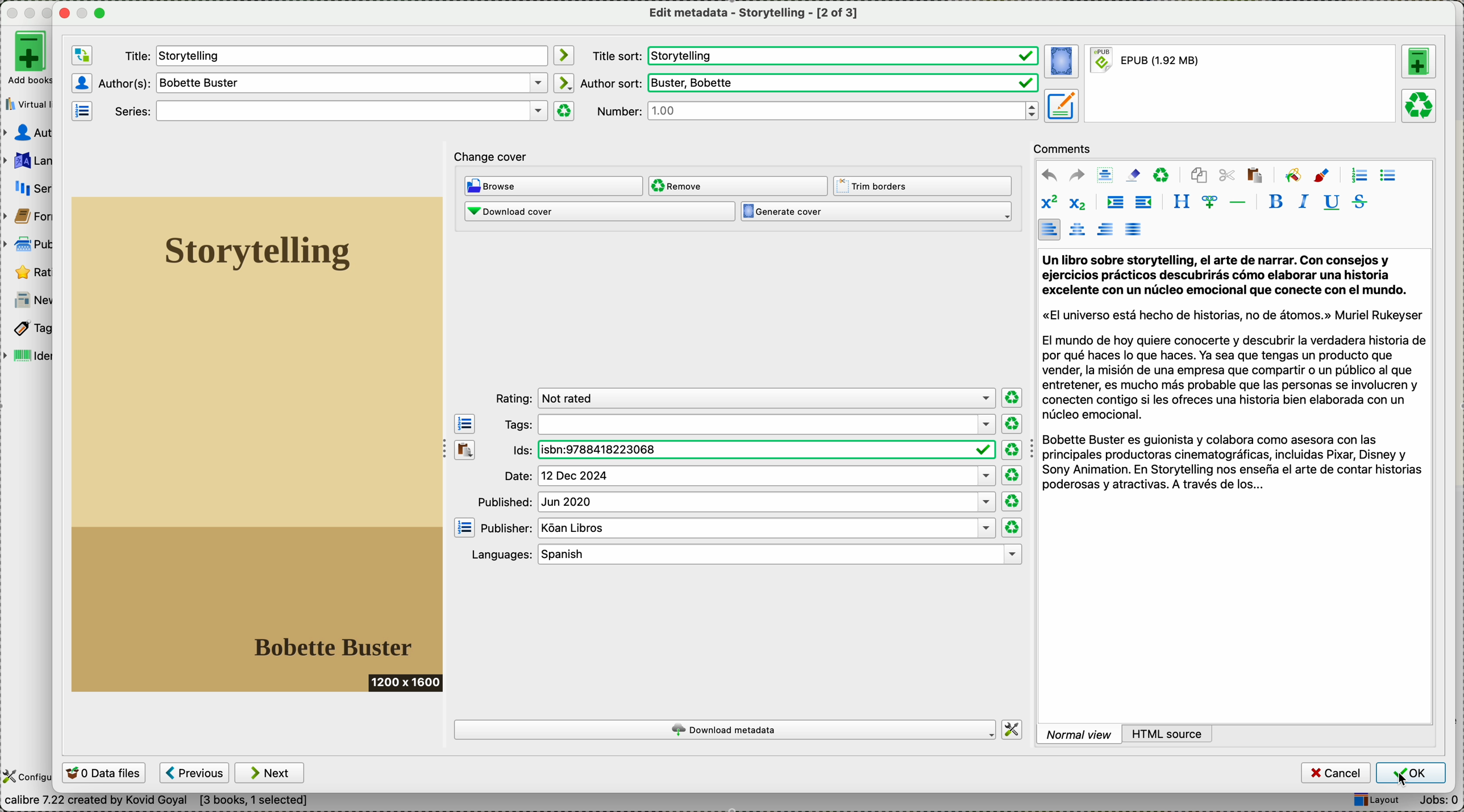  Describe the element at coordinates (1200, 177) in the screenshot. I see `copy` at that location.